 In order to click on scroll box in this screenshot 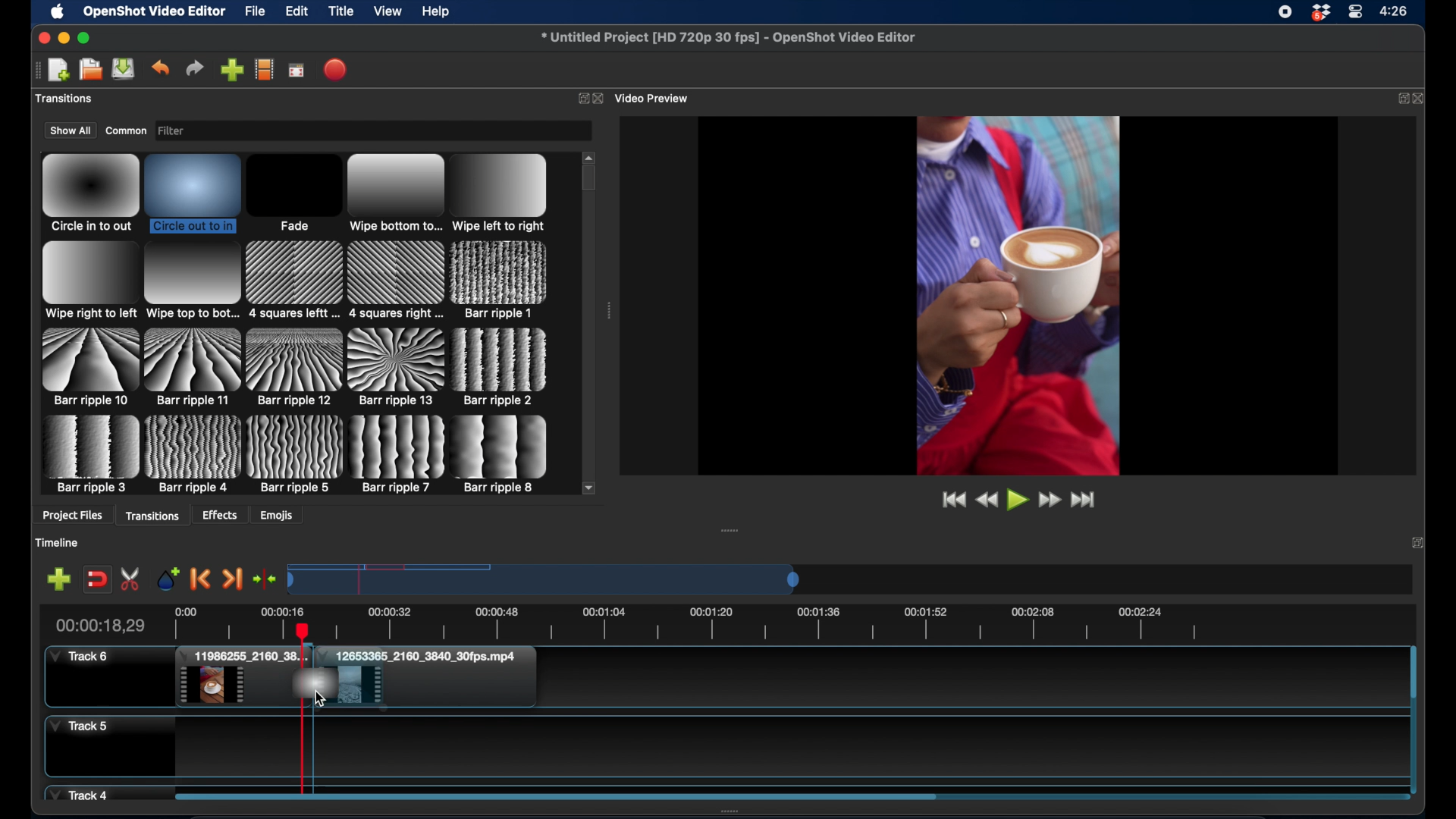, I will do `click(590, 180)`.